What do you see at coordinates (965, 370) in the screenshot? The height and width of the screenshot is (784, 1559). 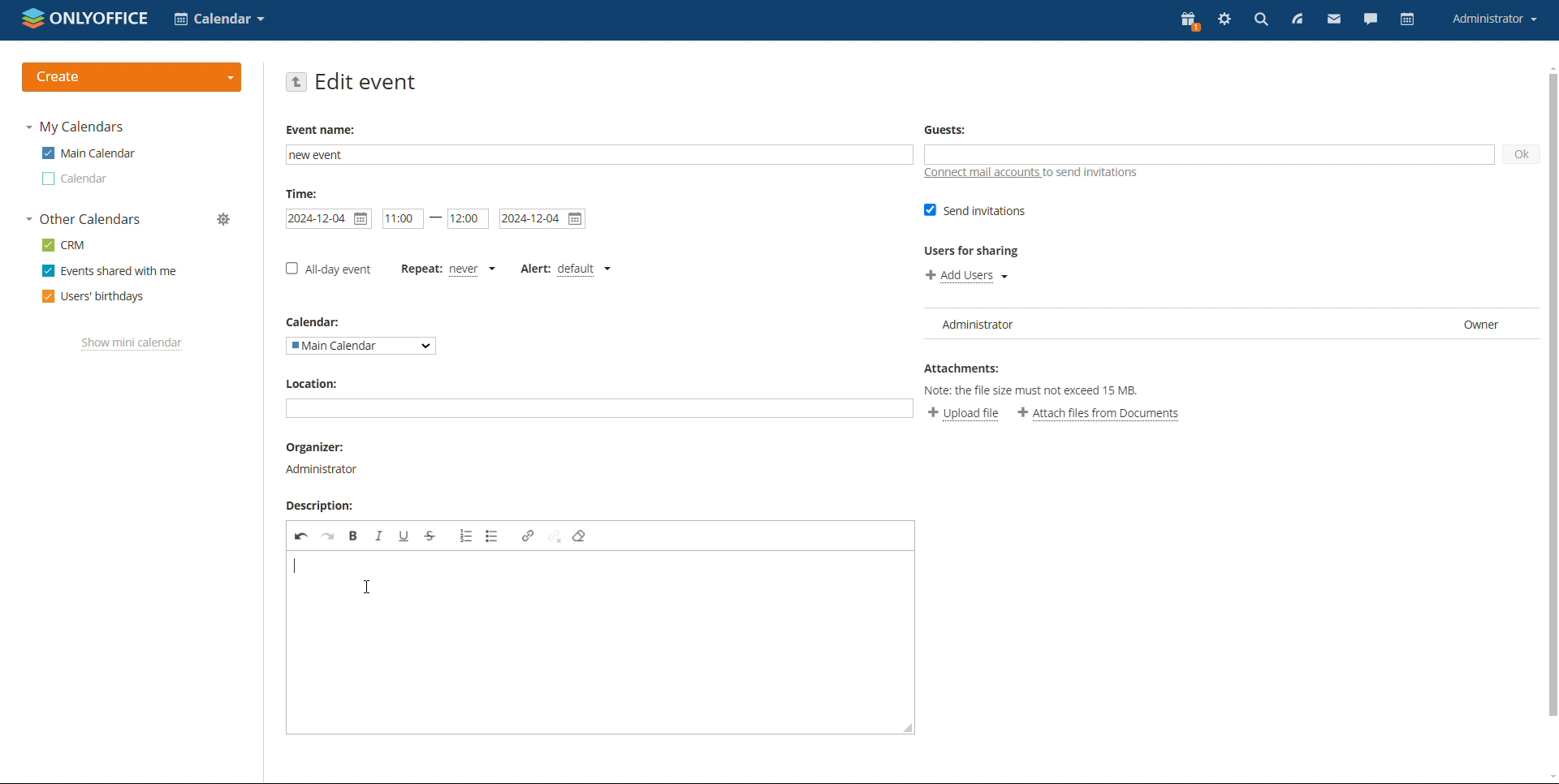 I see `Attachments:` at bounding box center [965, 370].